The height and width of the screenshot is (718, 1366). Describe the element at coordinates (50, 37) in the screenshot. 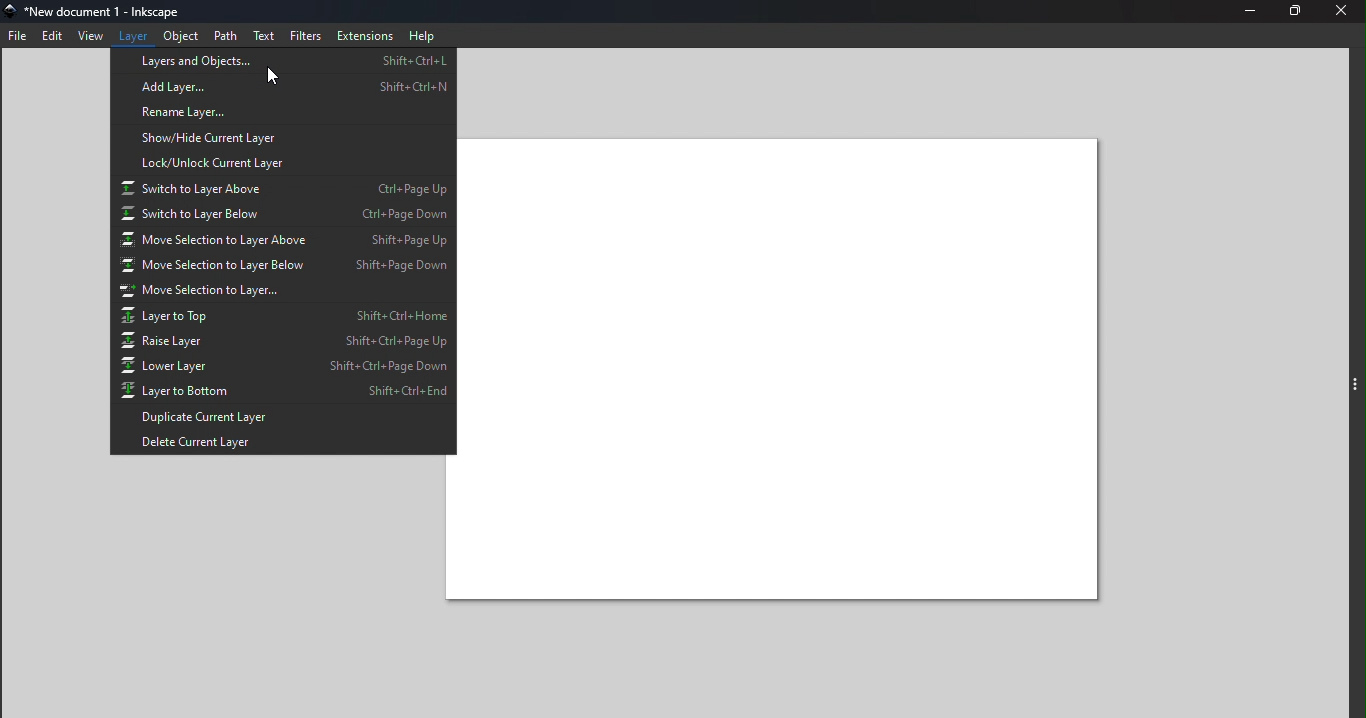

I see `Edit` at that location.